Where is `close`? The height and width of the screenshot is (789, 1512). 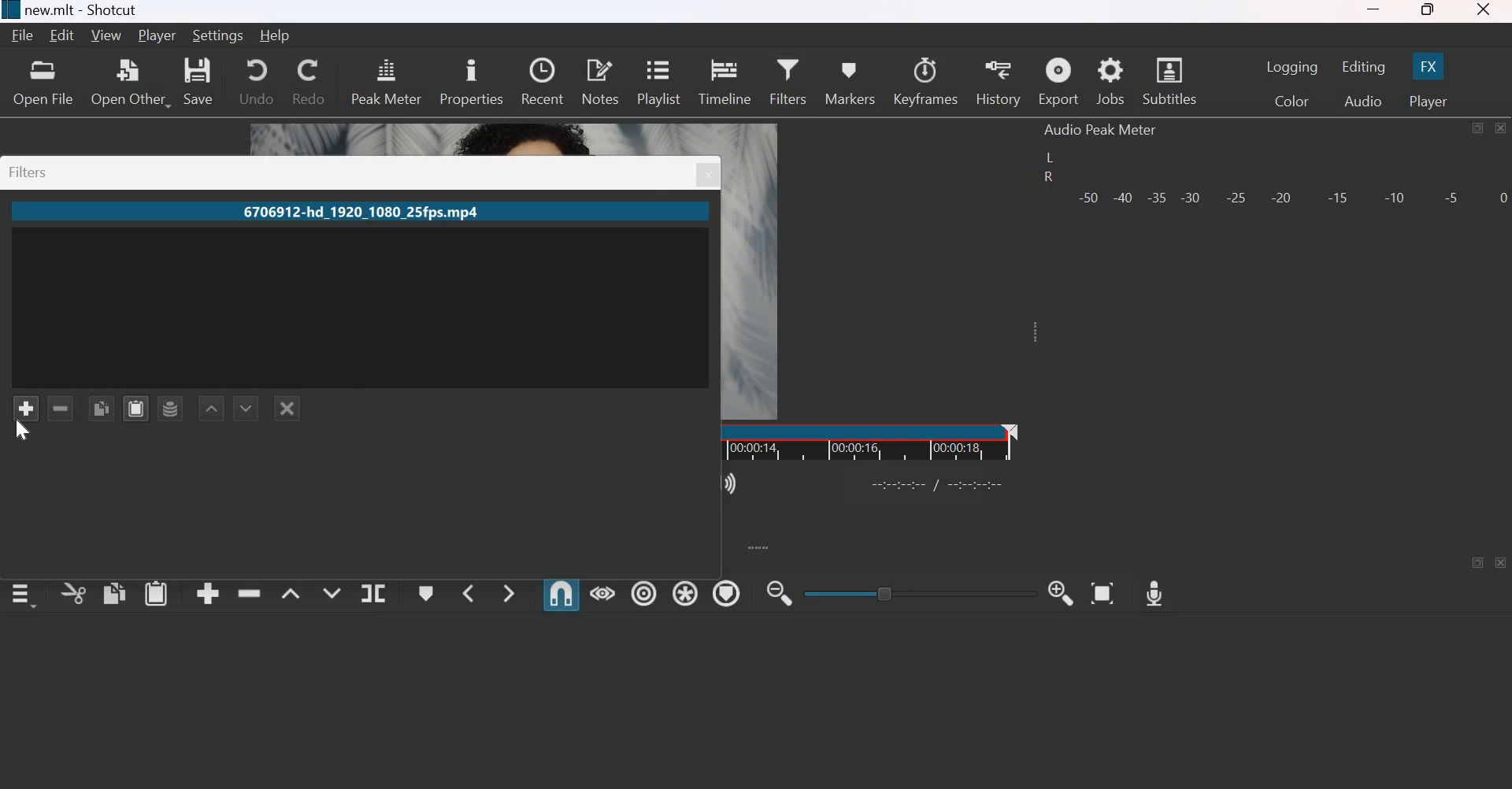 close is located at coordinates (1499, 128).